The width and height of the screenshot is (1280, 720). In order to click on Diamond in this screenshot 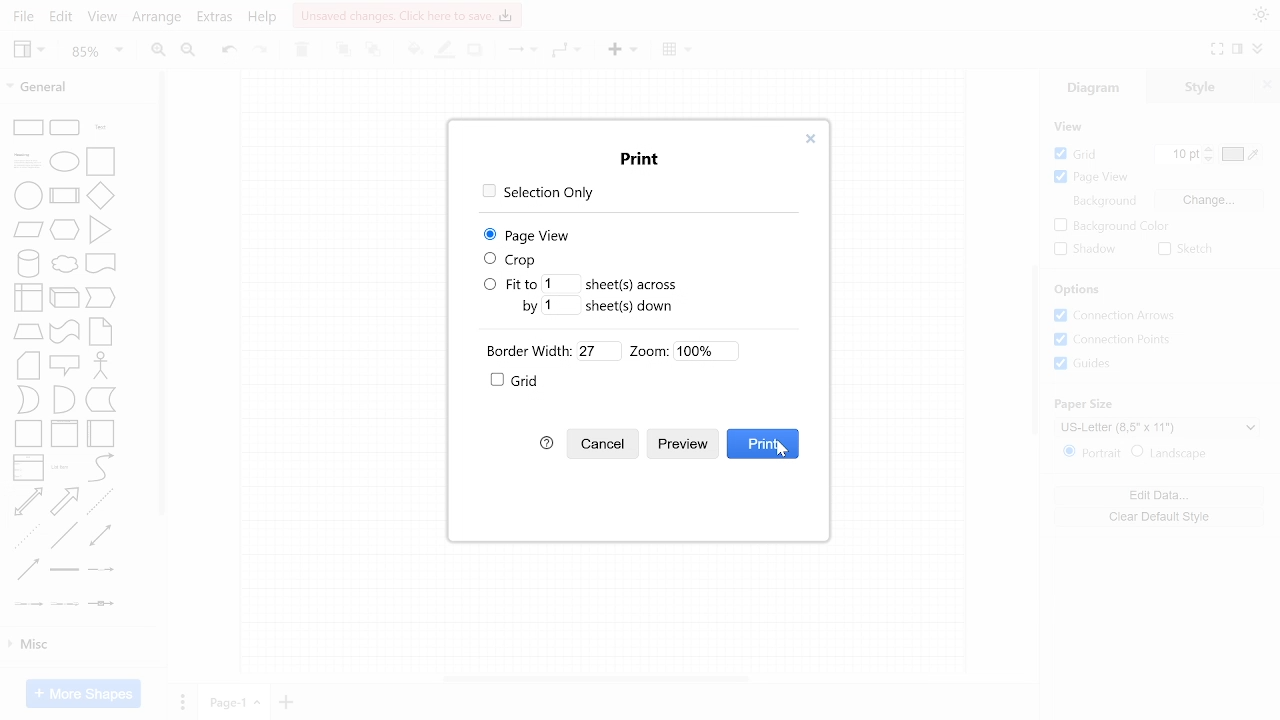, I will do `click(100, 195)`.